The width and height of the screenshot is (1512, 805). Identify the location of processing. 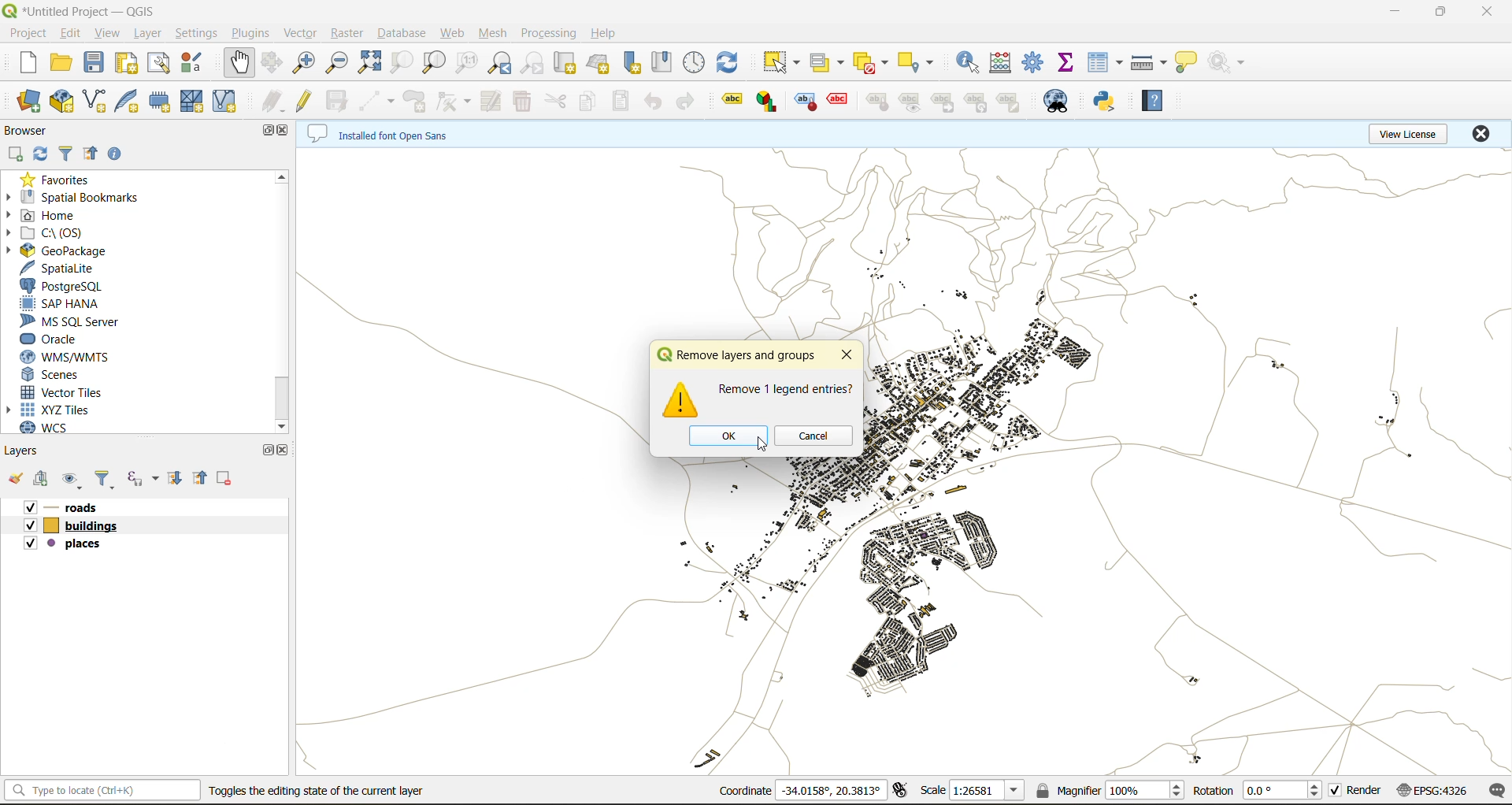
(548, 32).